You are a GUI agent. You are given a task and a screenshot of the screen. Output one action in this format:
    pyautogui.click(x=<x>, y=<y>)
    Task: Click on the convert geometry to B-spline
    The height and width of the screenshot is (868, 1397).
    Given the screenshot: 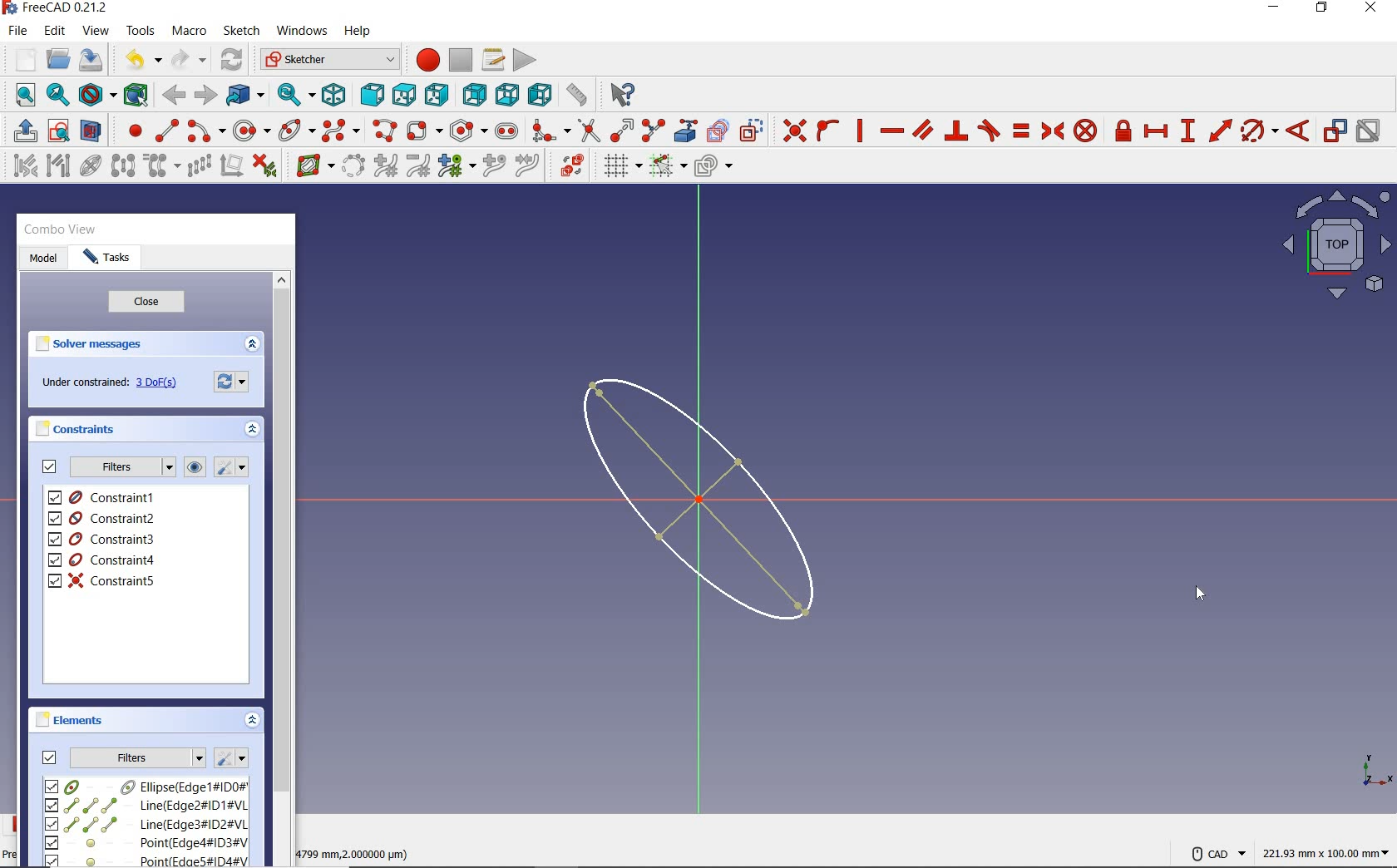 What is the action you would take?
    pyautogui.click(x=353, y=167)
    